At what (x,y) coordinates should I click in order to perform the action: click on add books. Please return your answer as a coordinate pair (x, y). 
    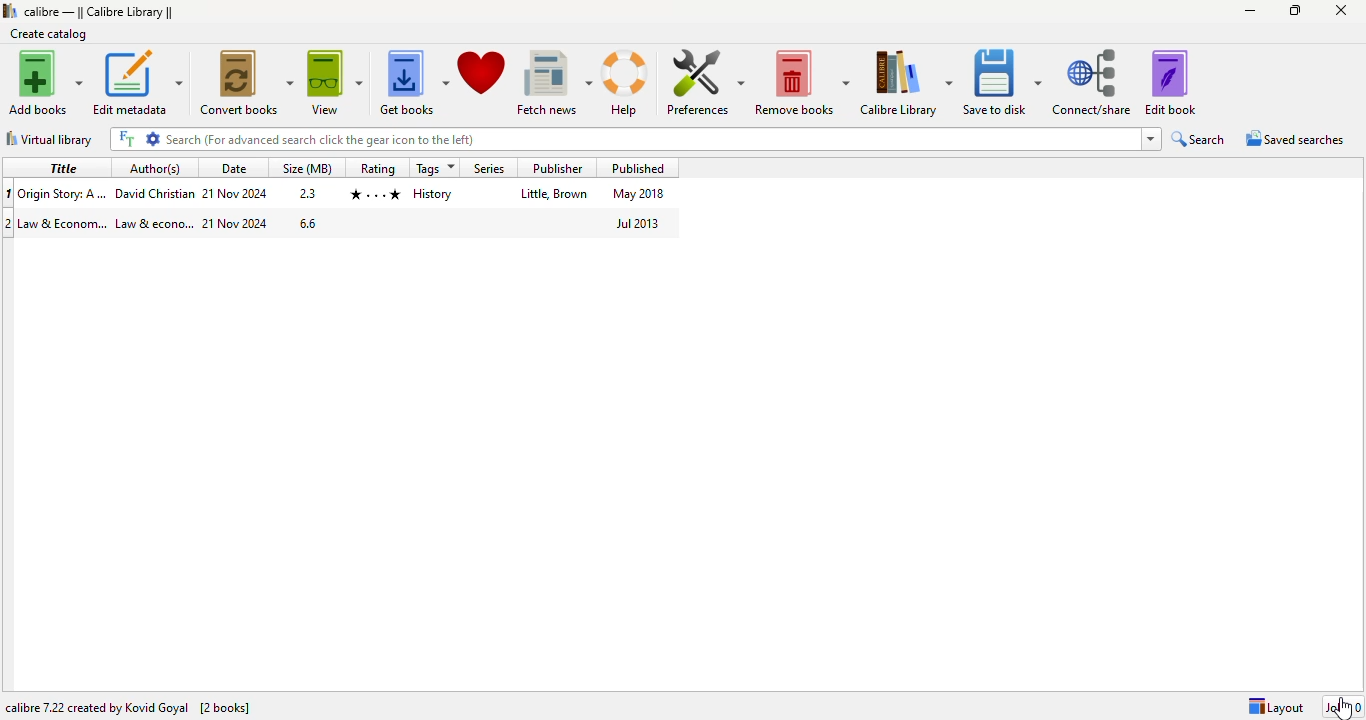
    Looking at the image, I should click on (44, 82).